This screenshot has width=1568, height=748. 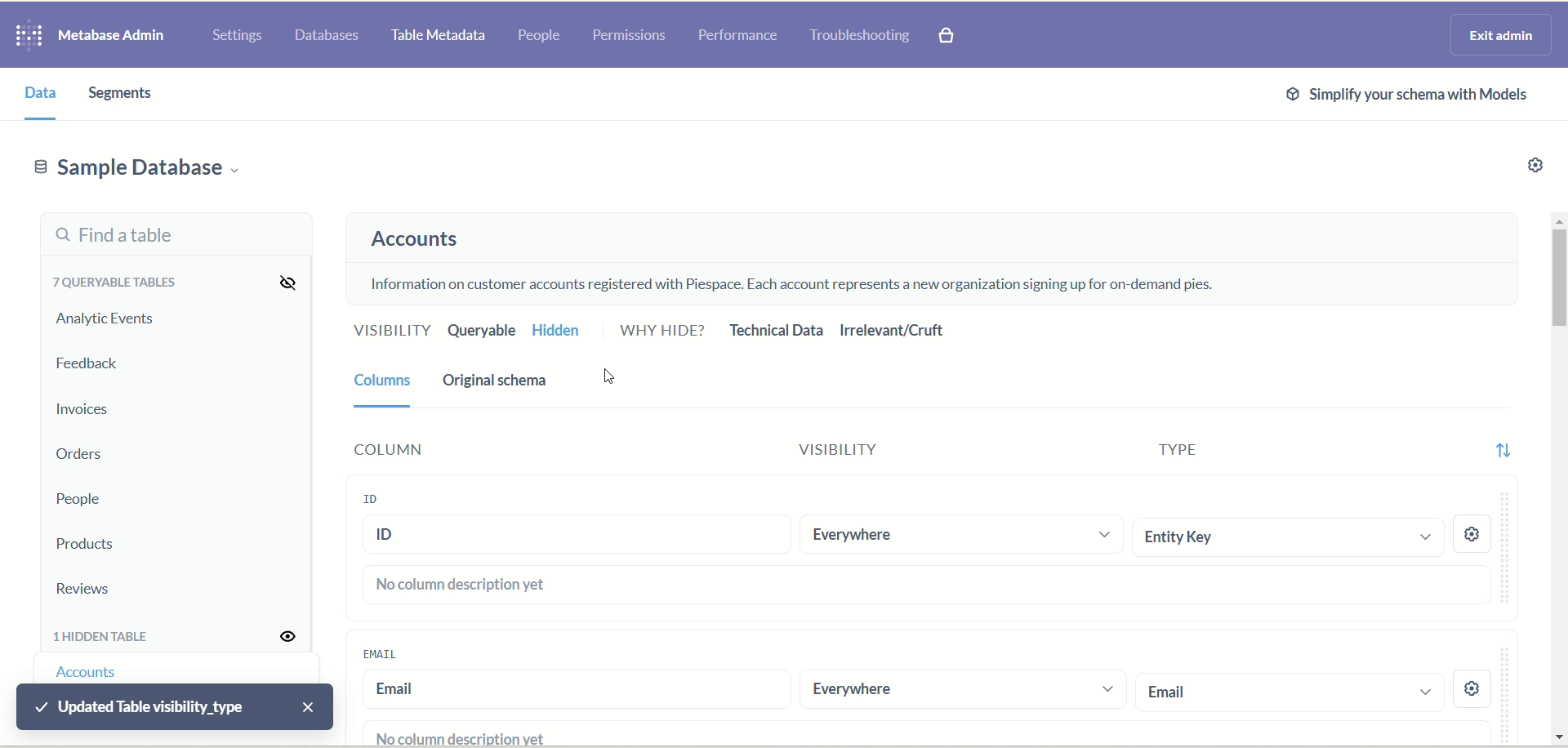 What do you see at coordinates (327, 38) in the screenshot?
I see `databases` at bounding box center [327, 38].